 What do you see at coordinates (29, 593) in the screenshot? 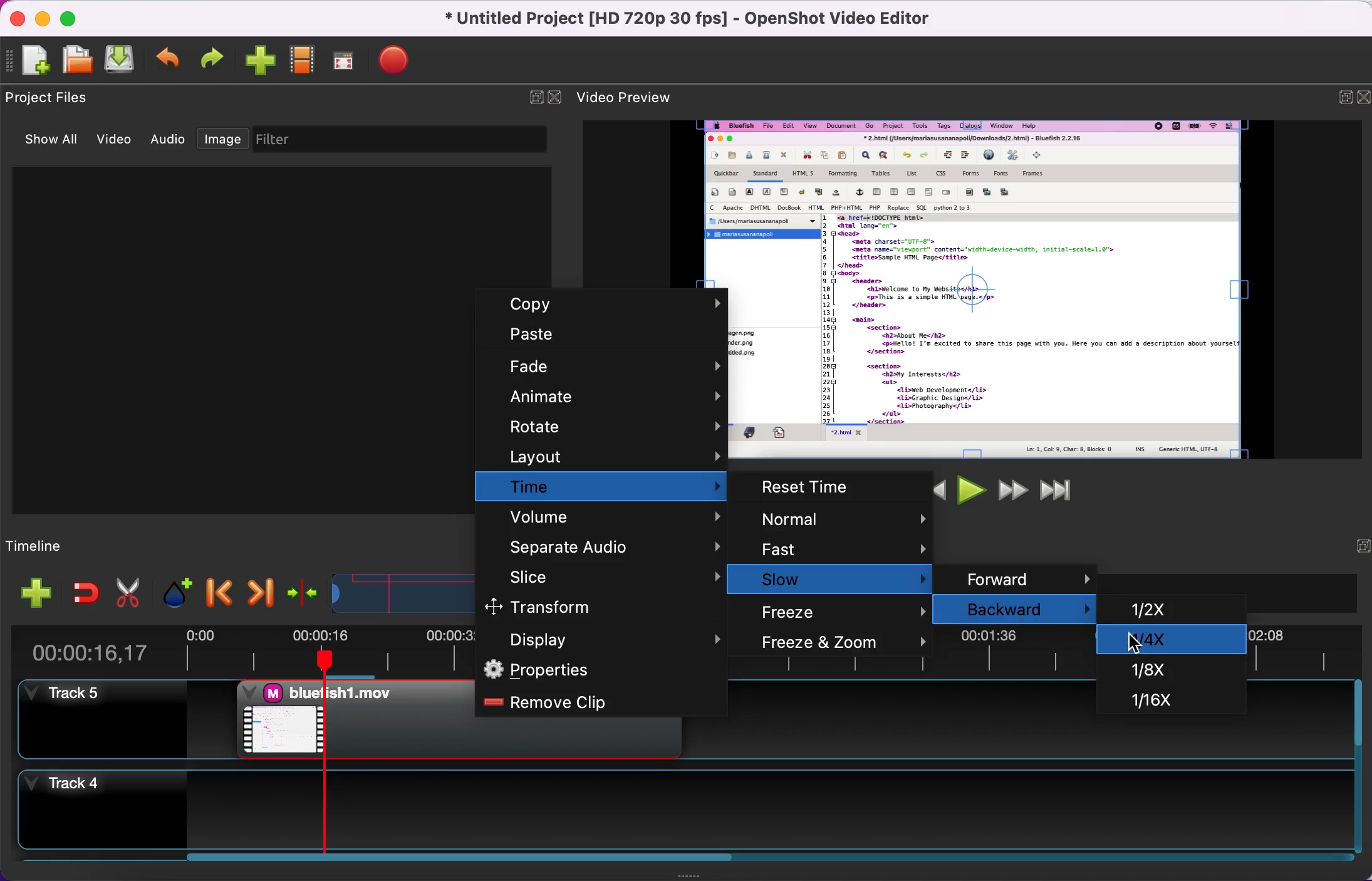
I see `add file` at bounding box center [29, 593].